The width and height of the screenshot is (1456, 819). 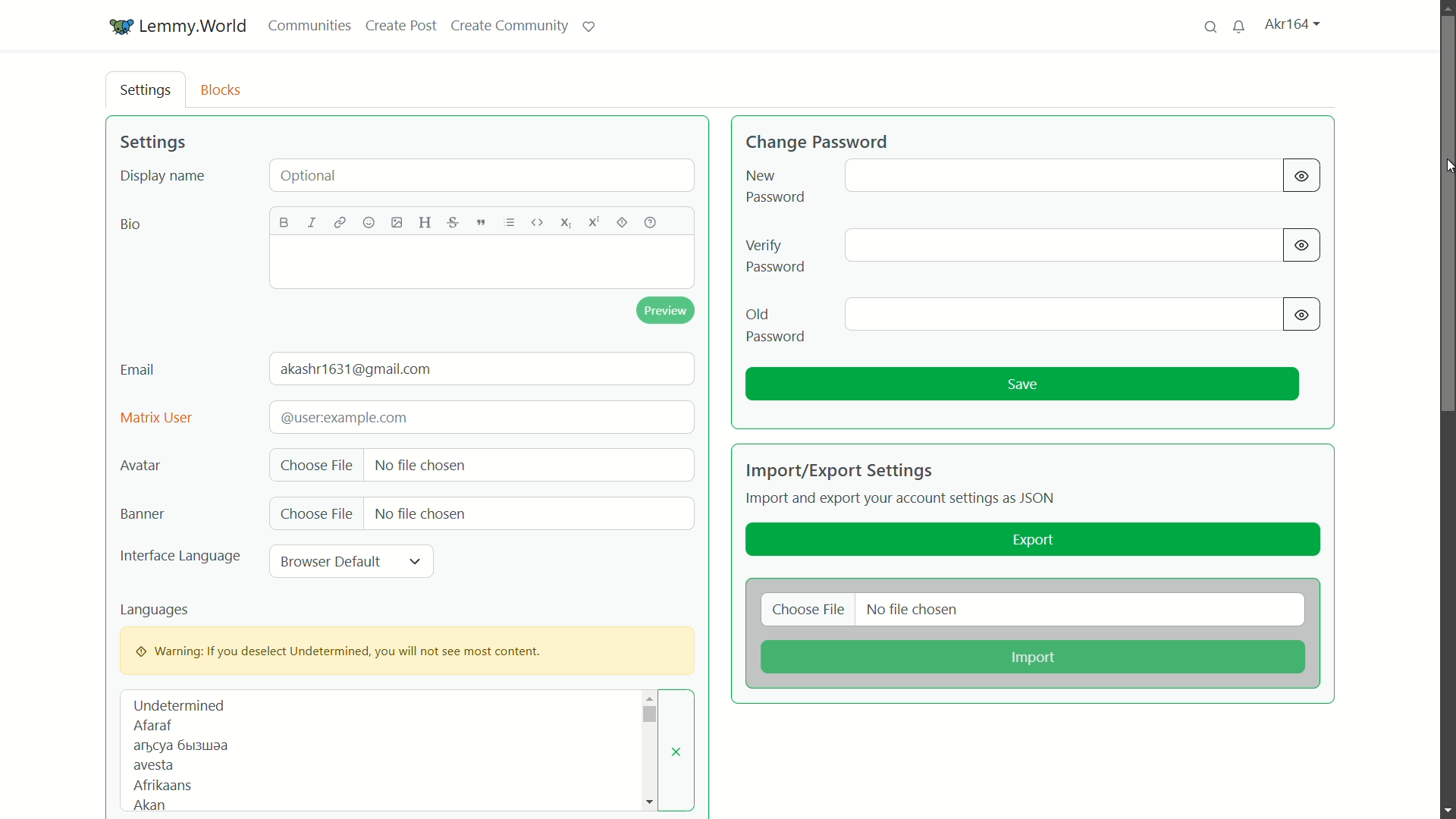 What do you see at coordinates (421, 467) in the screenshot?
I see `no file chosen` at bounding box center [421, 467].